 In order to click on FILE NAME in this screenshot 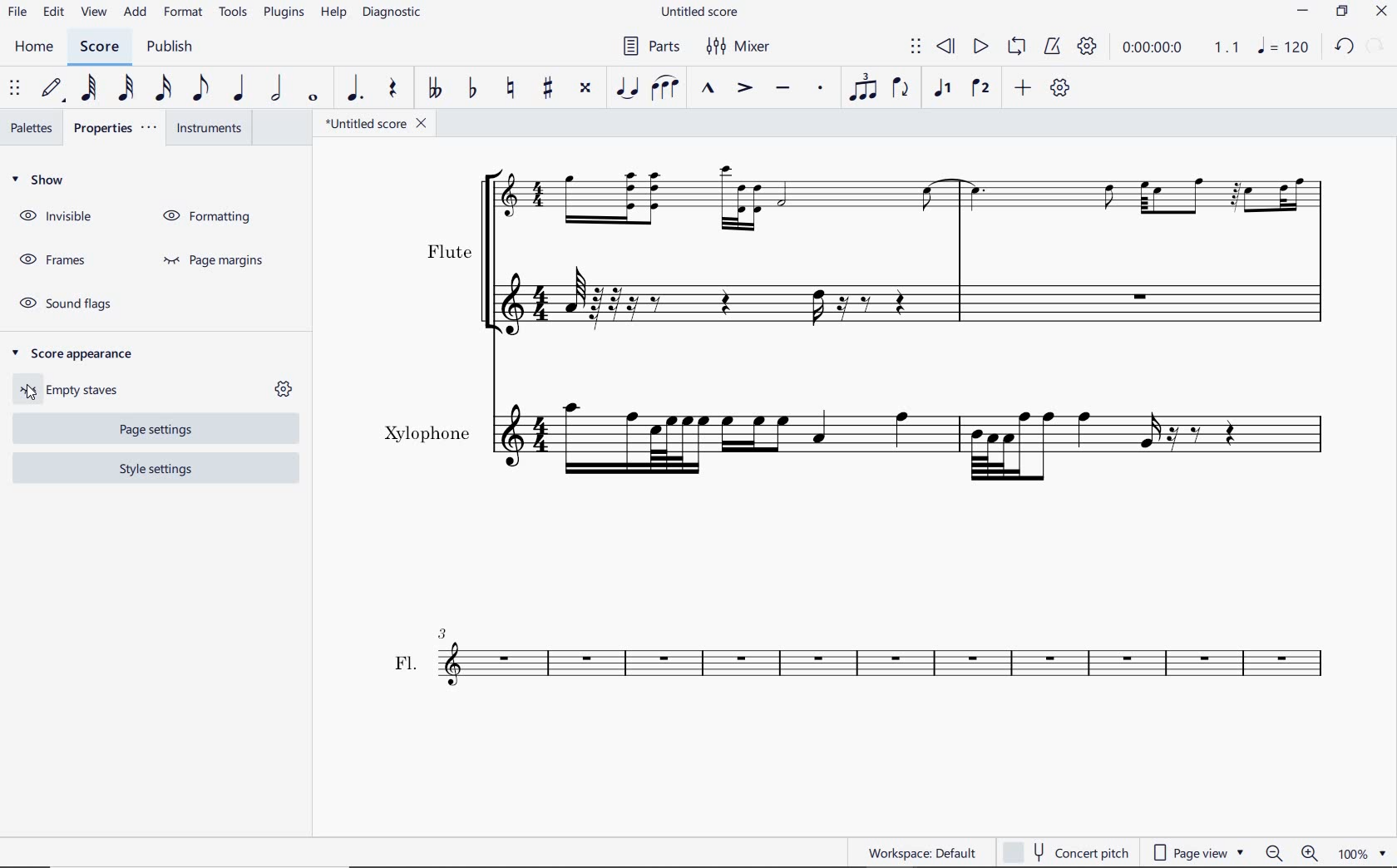, I will do `click(378, 125)`.